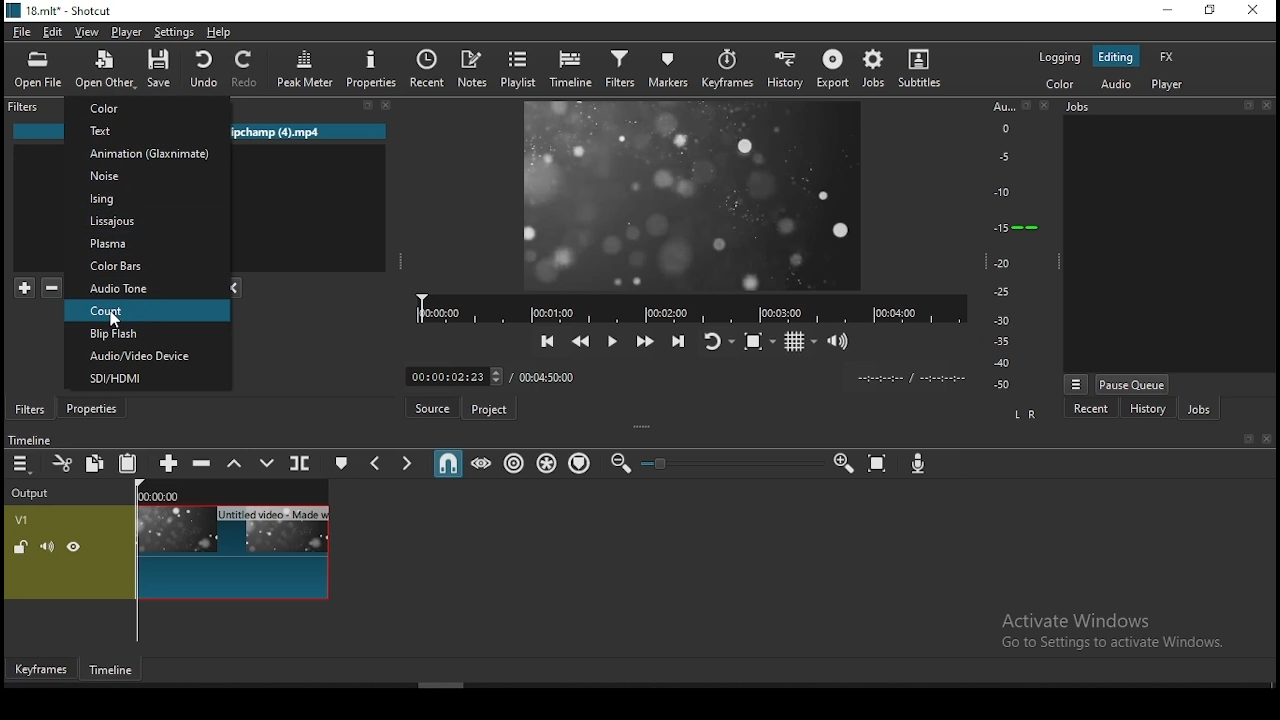 Image resolution: width=1280 pixels, height=720 pixels. I want to click on filters, so click(32, 407).